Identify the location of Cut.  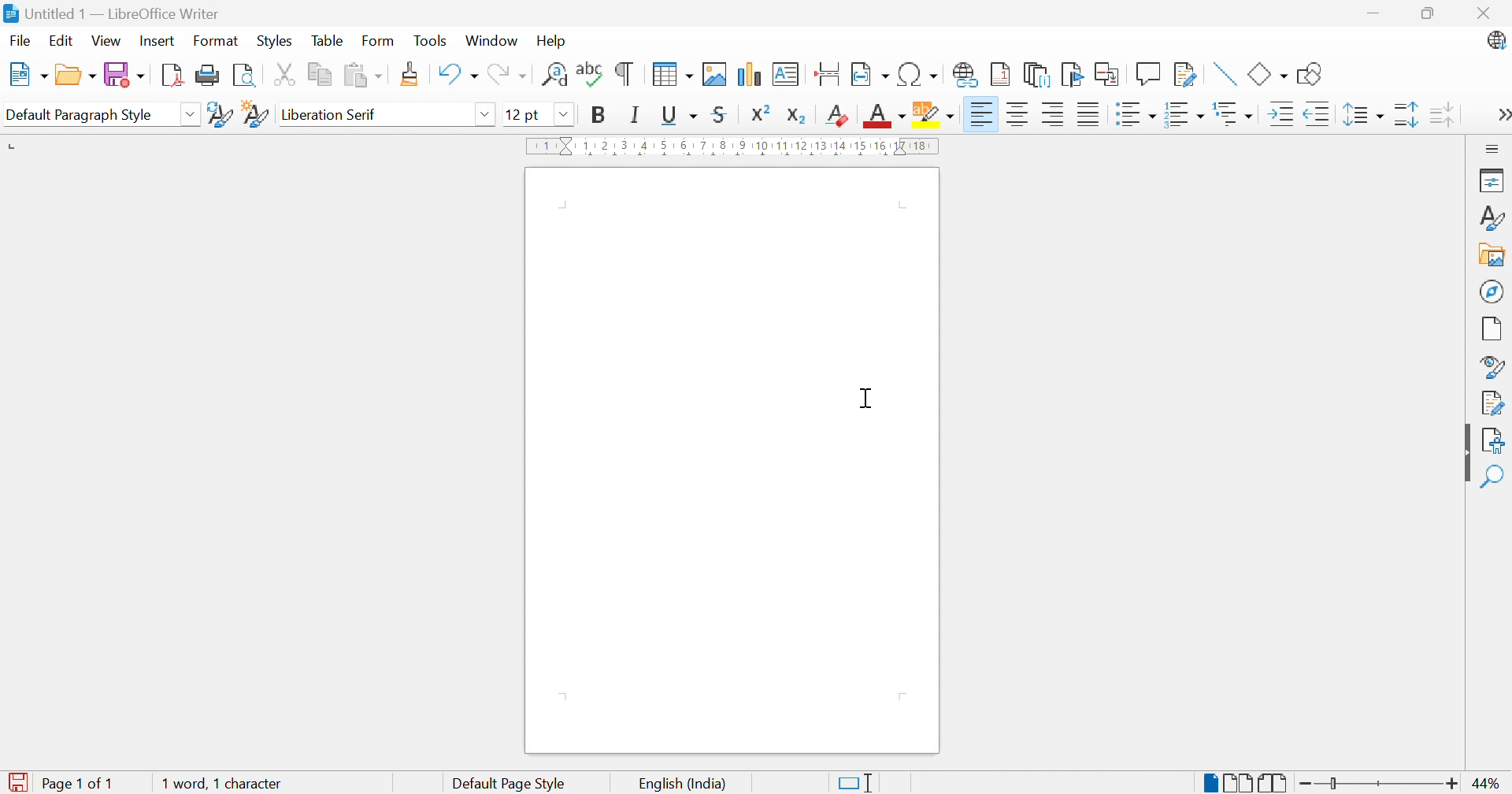
(288, 76).